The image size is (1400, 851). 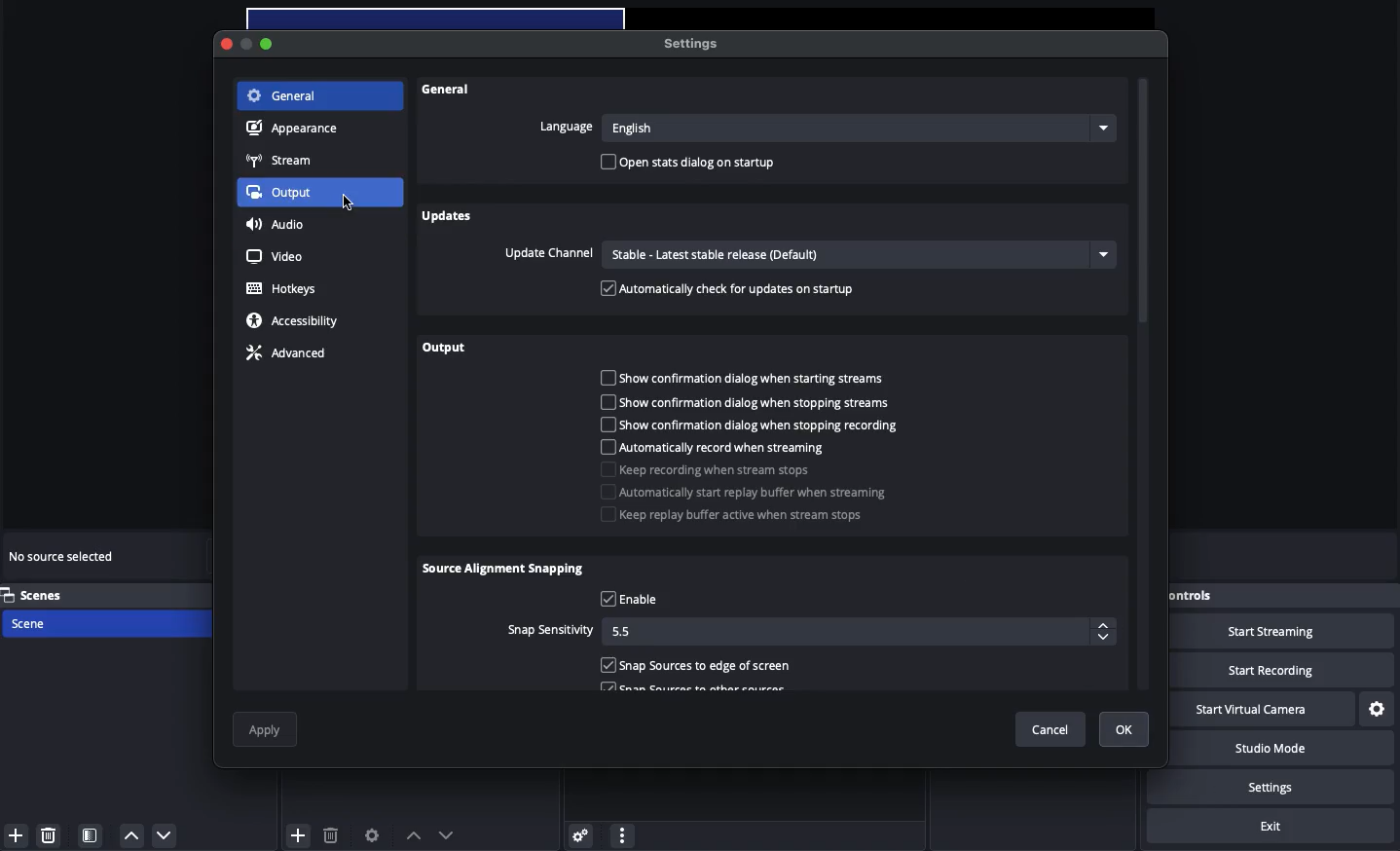 I want to click on Delete, so click(x=330, y=834).